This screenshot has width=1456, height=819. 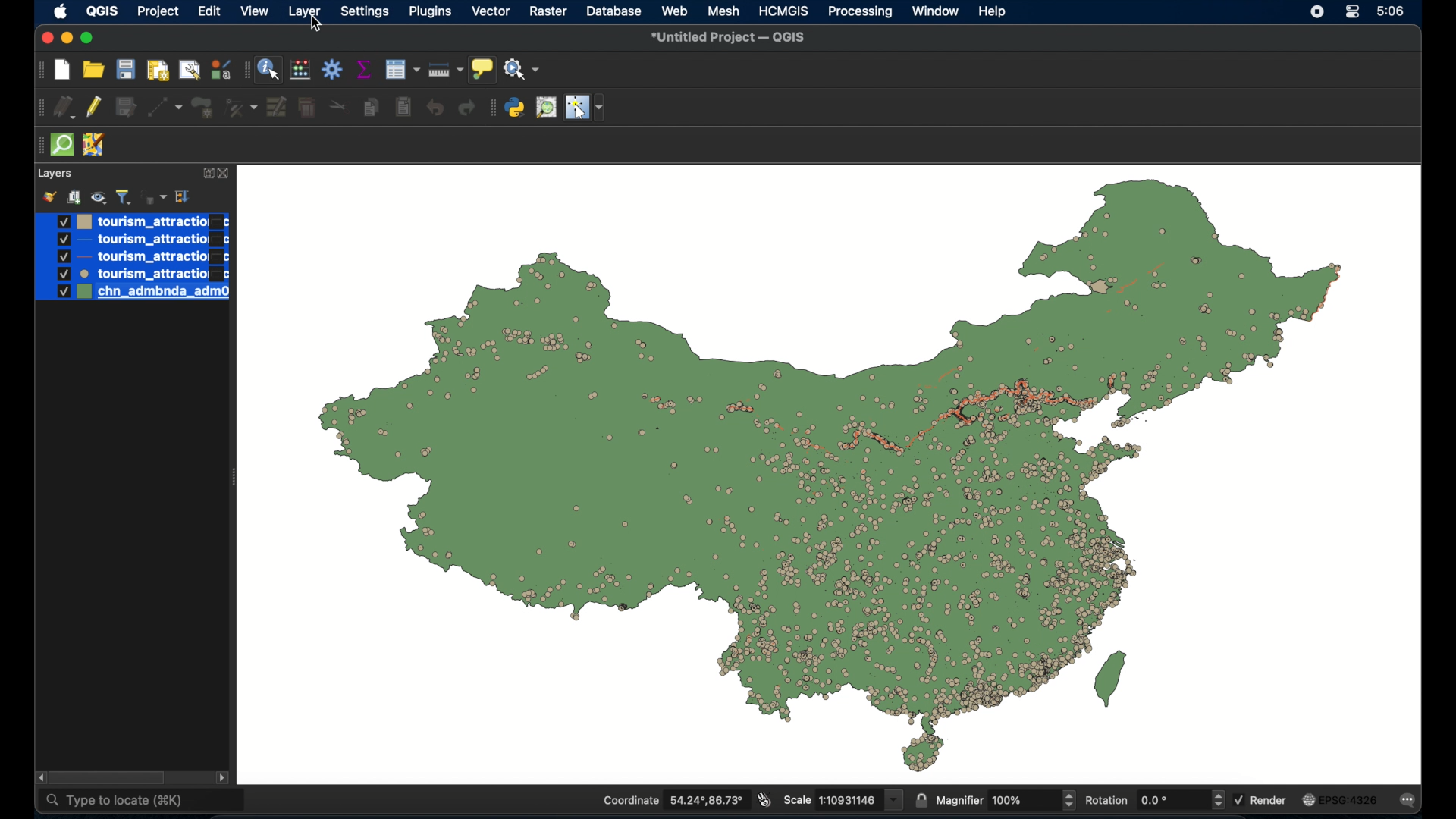 I want to click on scale, so click(x=843, y=799).